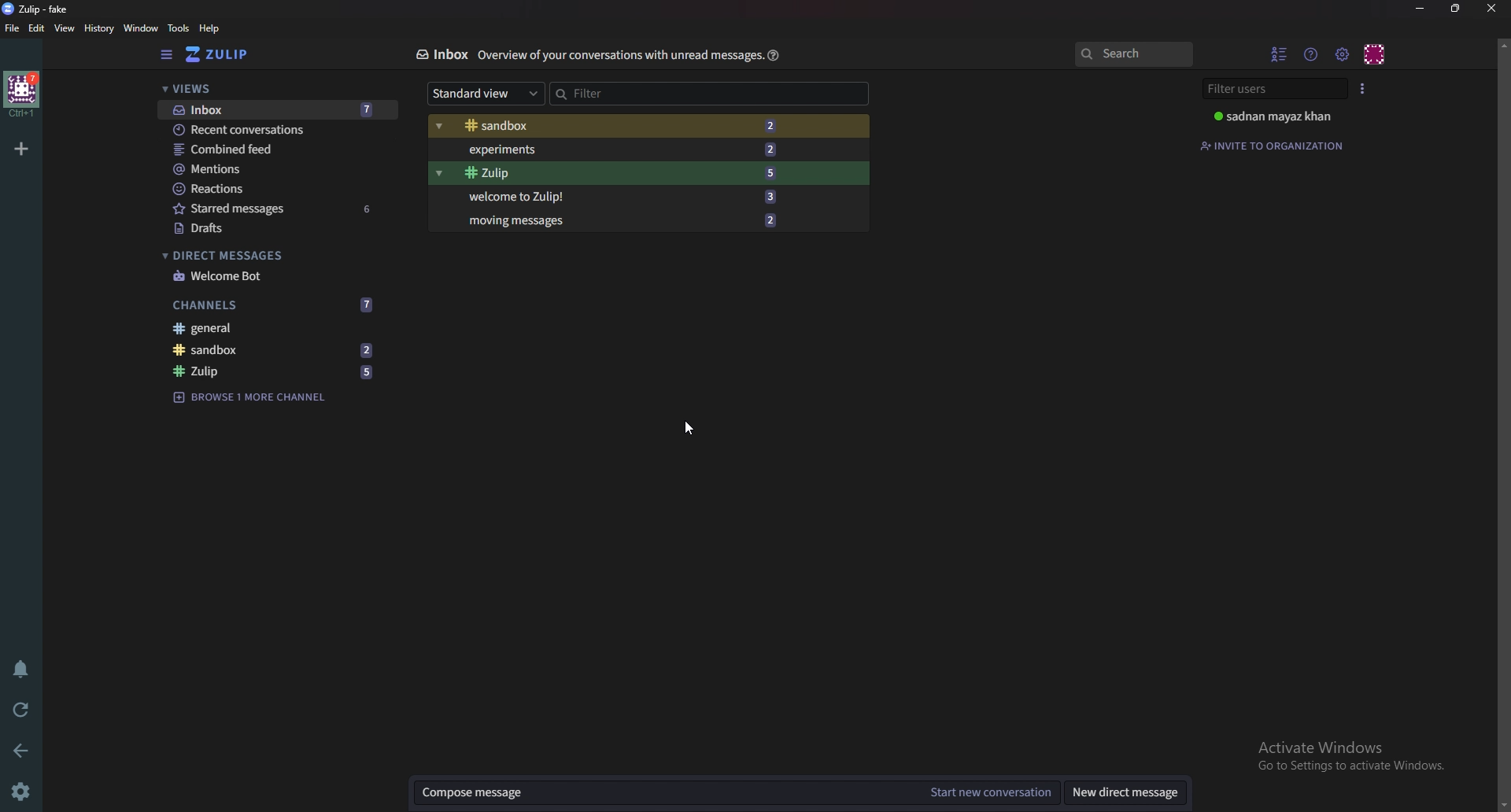 The image size is (1511, 812). I want to click on Start new conversation, so click(989, 792).